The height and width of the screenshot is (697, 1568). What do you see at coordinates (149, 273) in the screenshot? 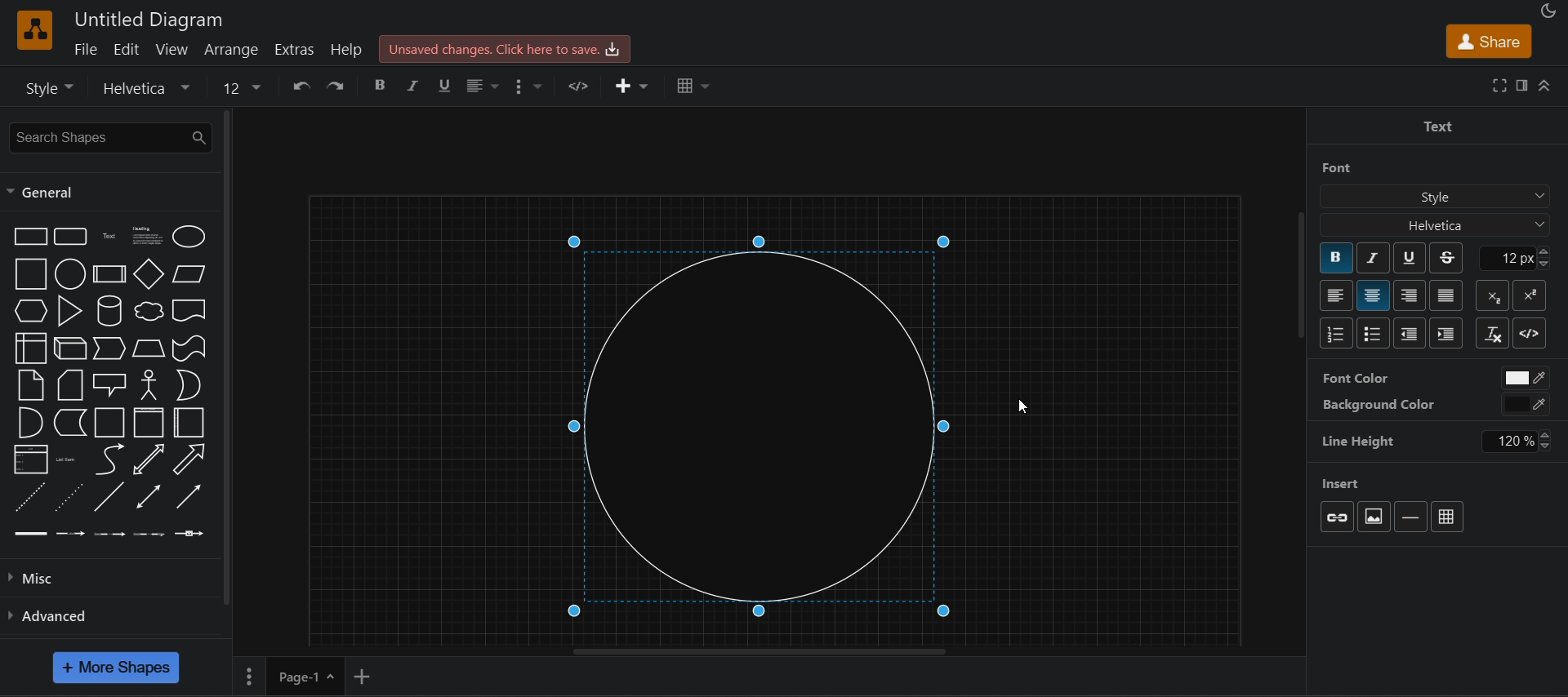
I see `diamond` at bounding box center [149, 273].